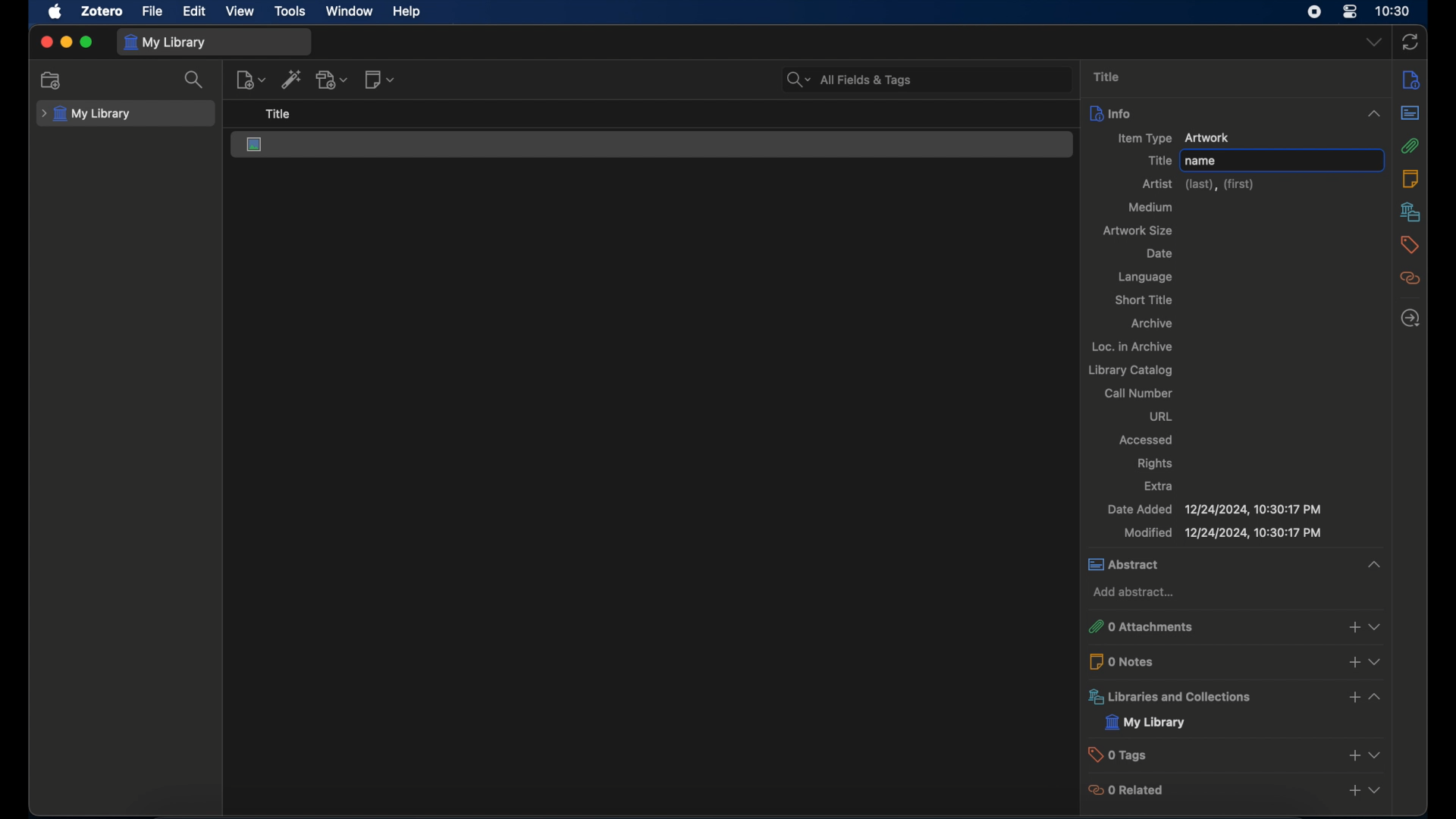 The image size is (1456, 819). What do you see at coordinates (1237, 113) in the screenshot?
I see `info` at bounding box center [1237, 113].